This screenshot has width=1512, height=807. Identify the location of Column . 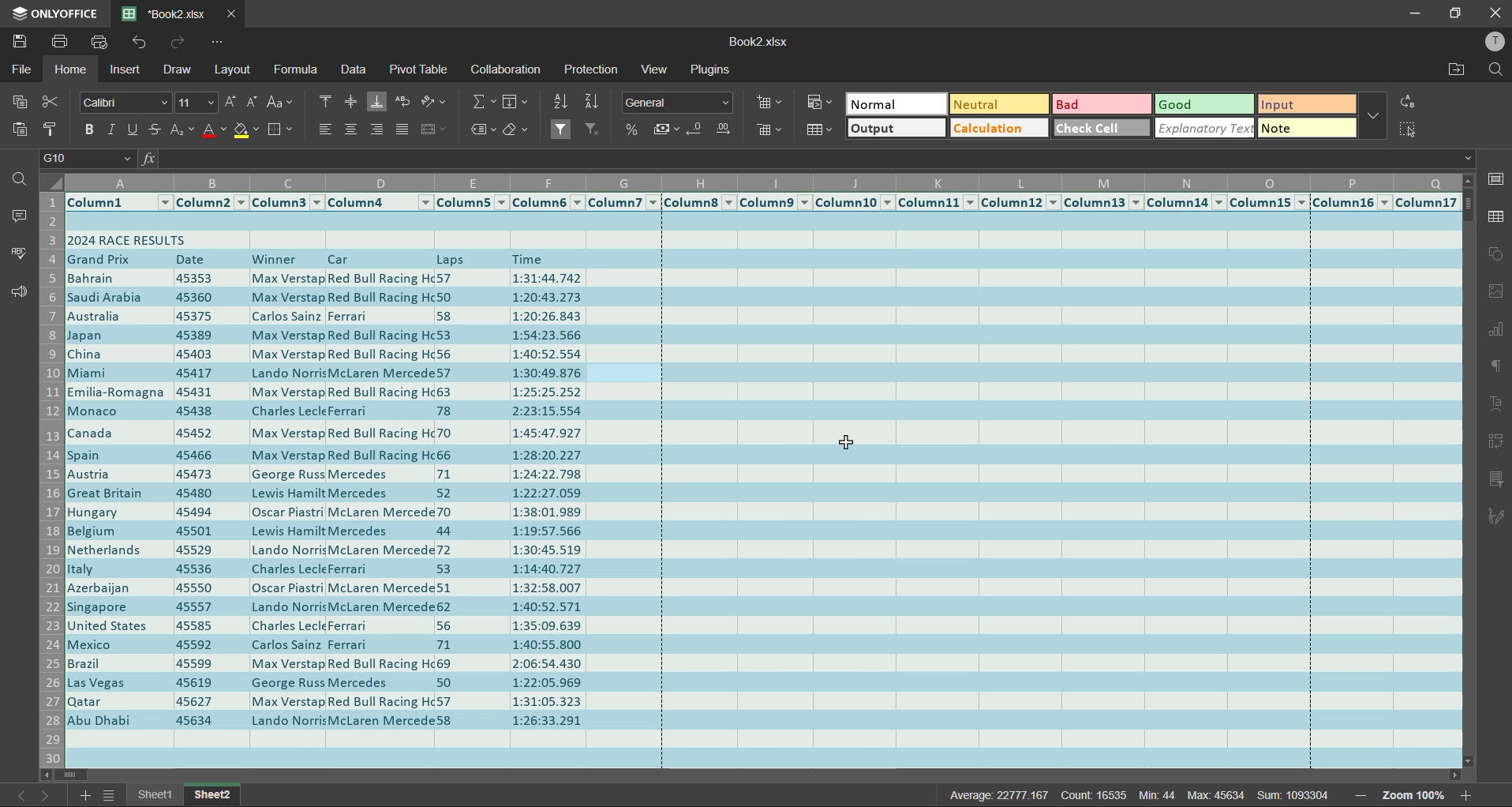
(210, 203).